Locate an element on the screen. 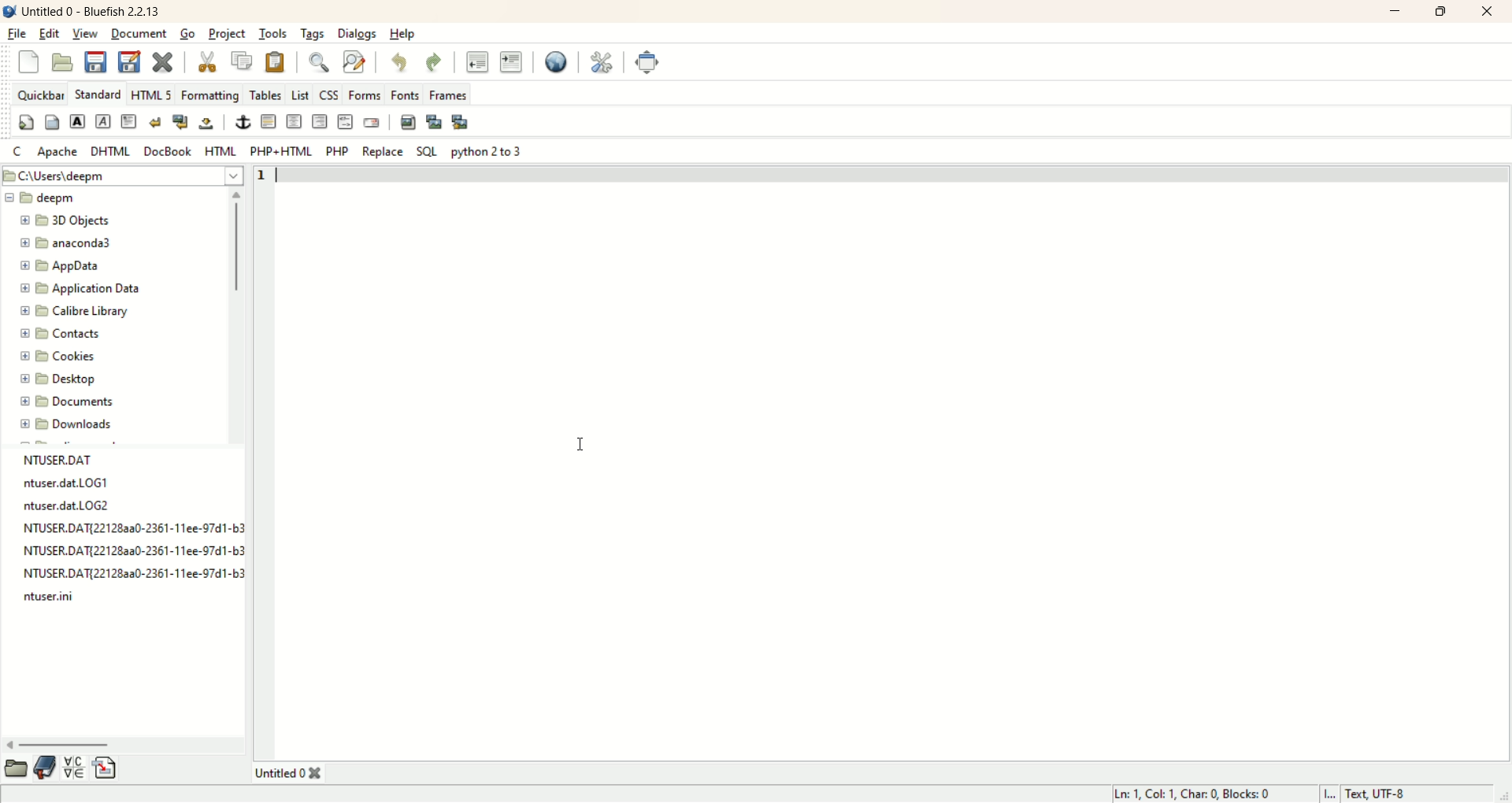  edit is located at coordinates (50, 35).